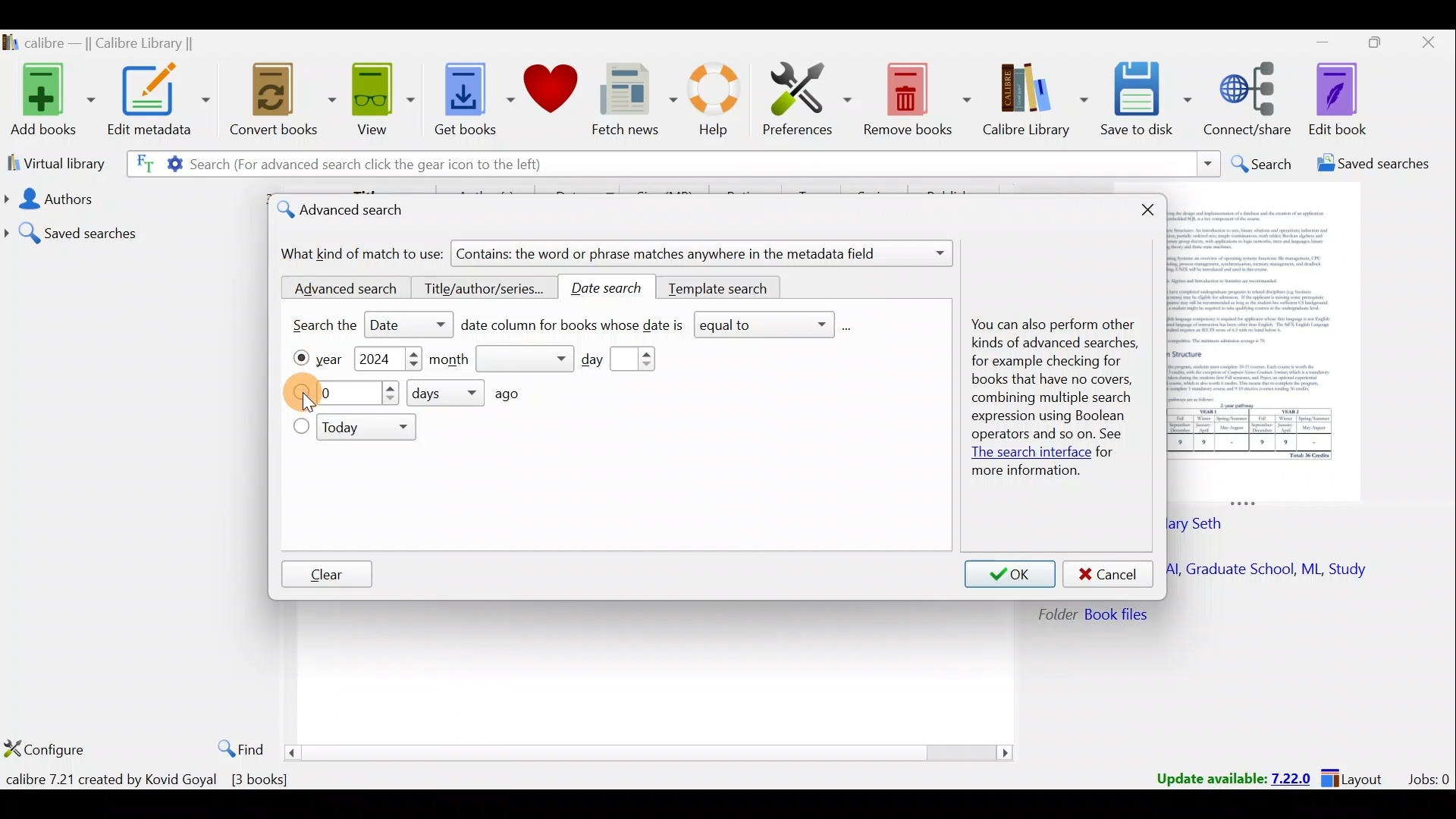  Describe the element at coordinates (301, 403) in the screenshot. I see `Cursor` at that location.